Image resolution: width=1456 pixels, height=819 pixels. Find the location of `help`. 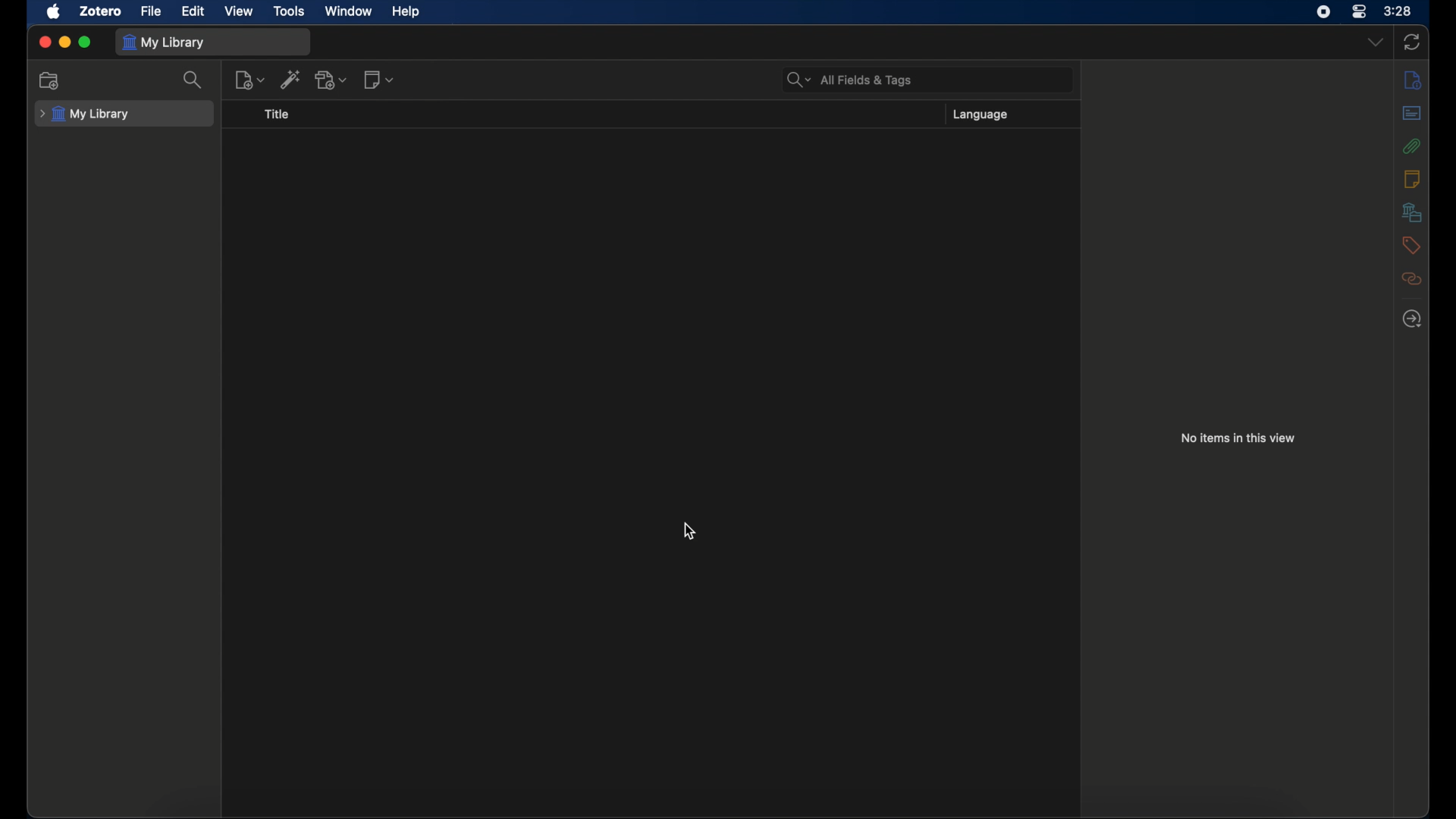

help is located at coordinates (406, 12).